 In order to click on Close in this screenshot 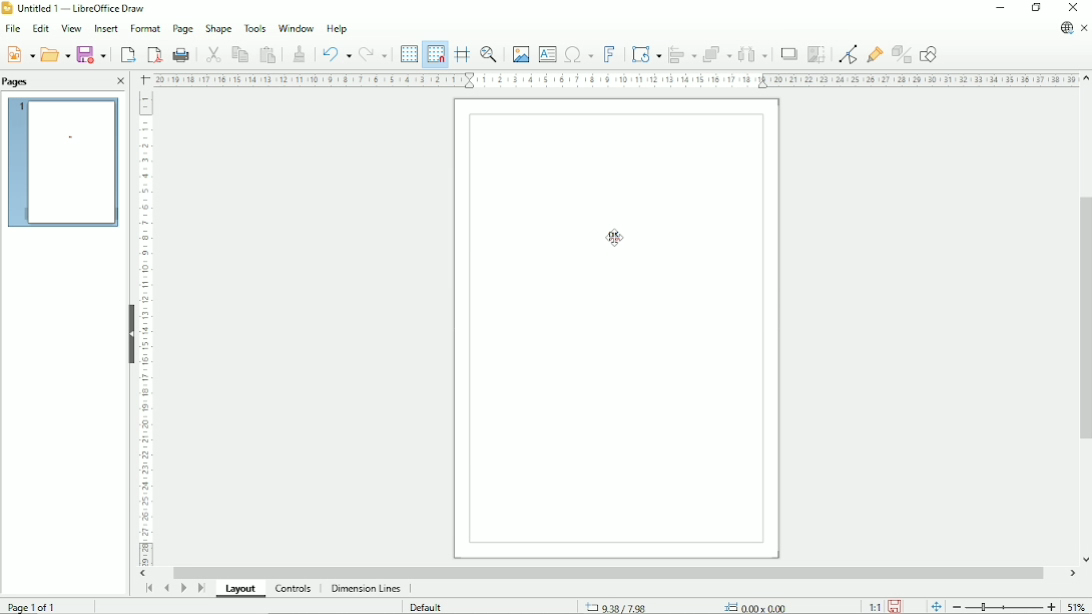, I will do `click(120, 81)`.